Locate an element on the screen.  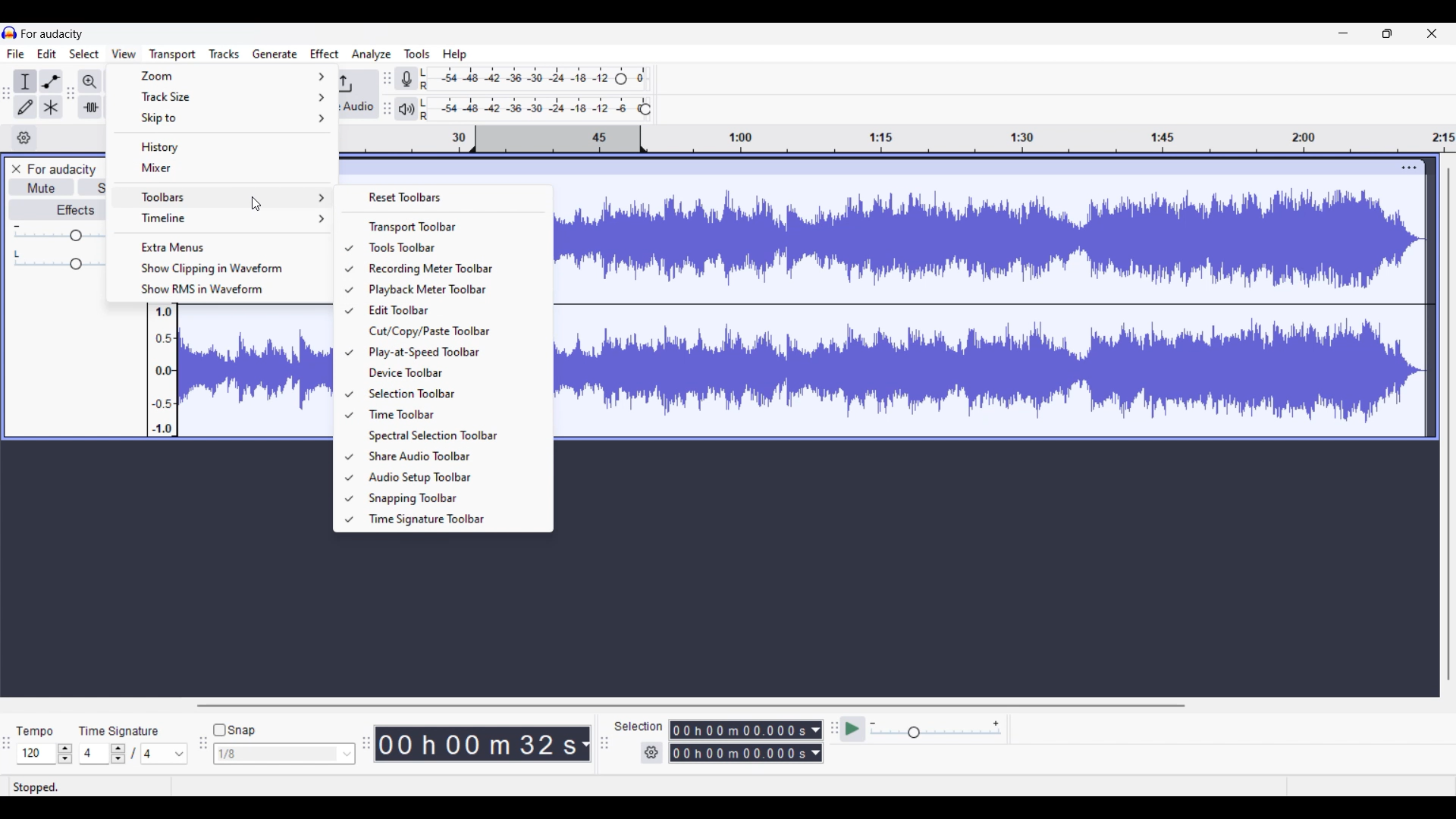
View menu is located at coordinates (124, 53).